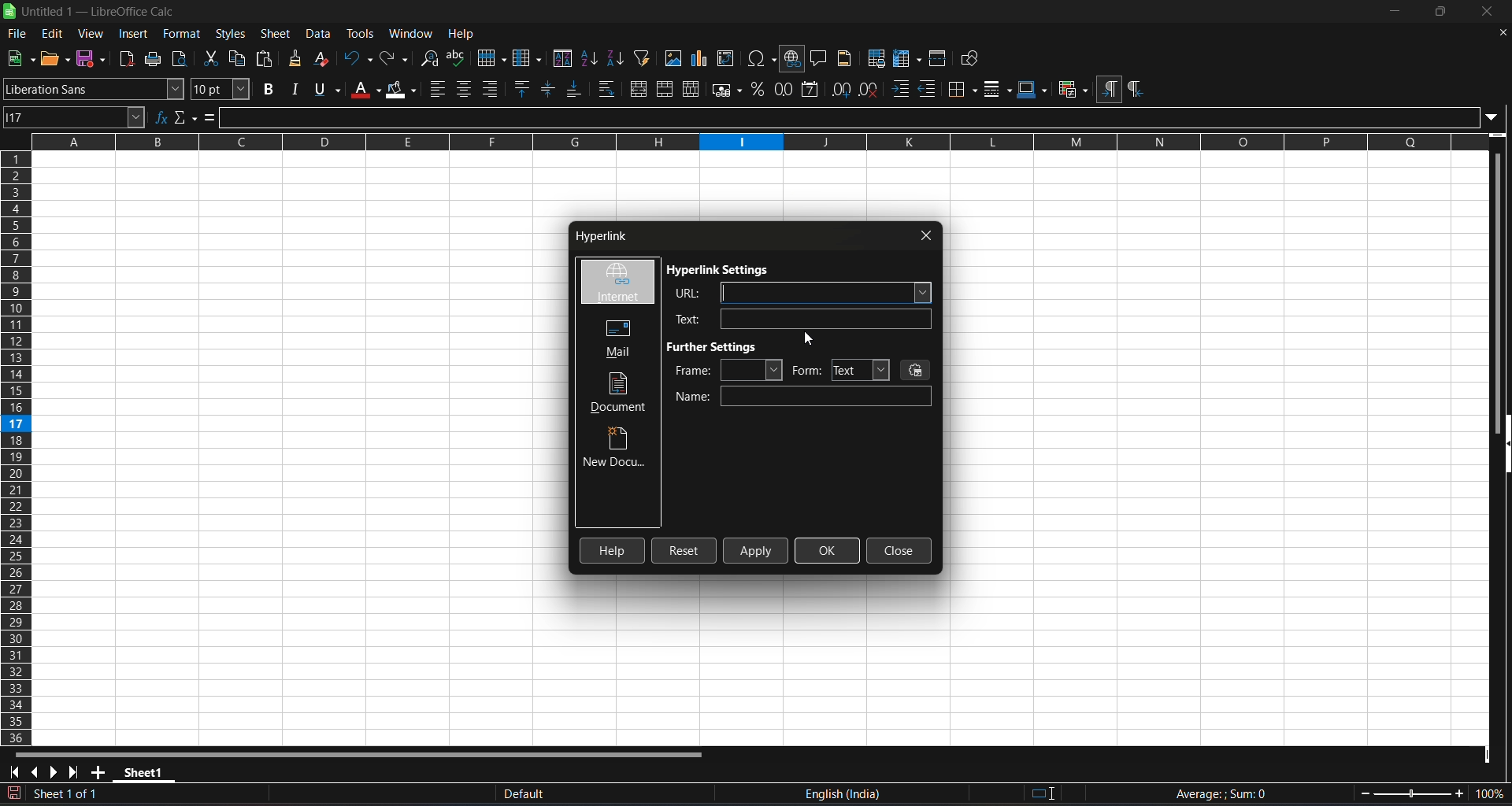 The height and width of the screenshot is (806, 1512). What do you see at coordinates (491, 89) in the screenshot?
I see `align right` at bounding box center [491, 89].